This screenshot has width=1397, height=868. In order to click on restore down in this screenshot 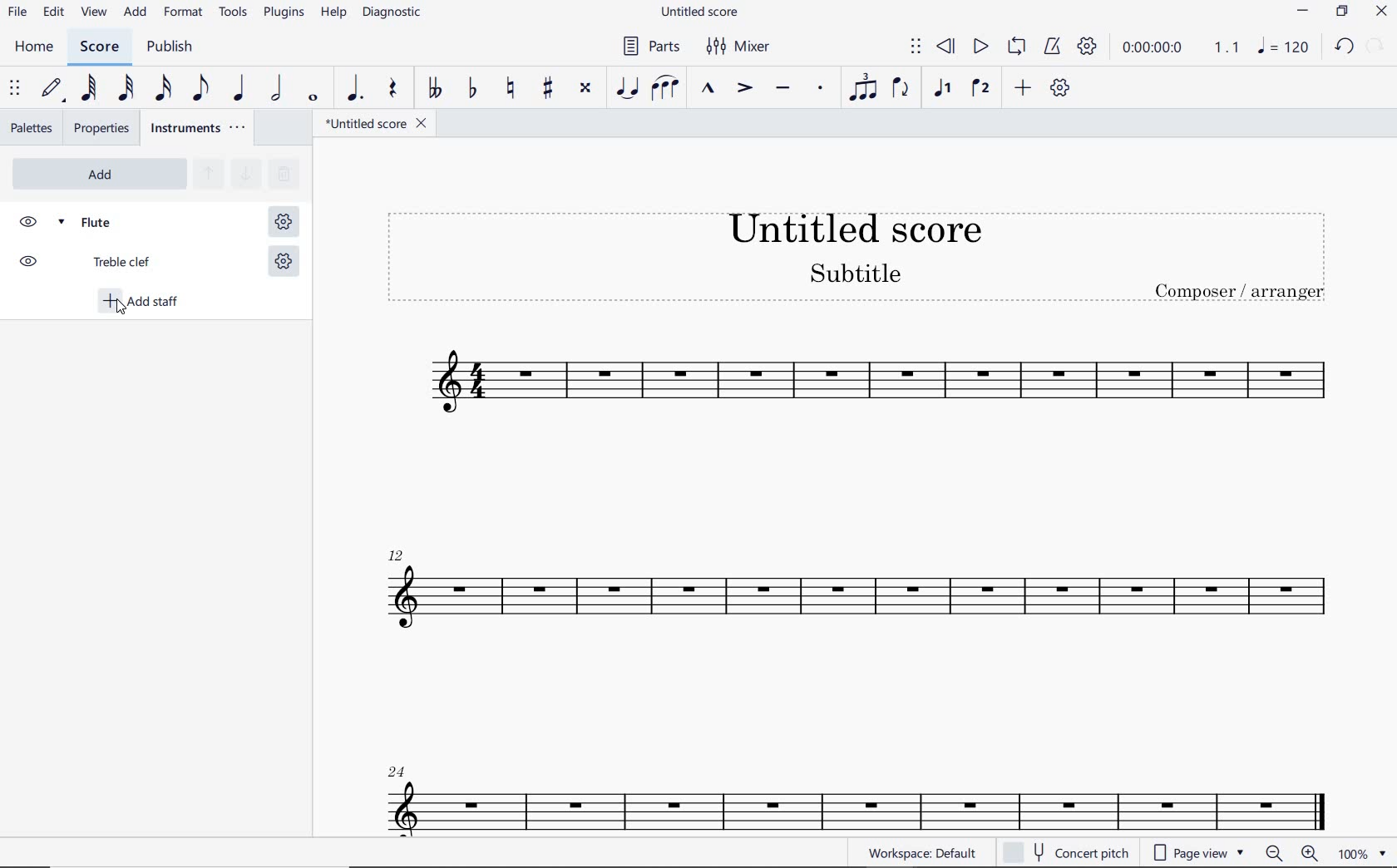, I will do `click(1341, 12)`.